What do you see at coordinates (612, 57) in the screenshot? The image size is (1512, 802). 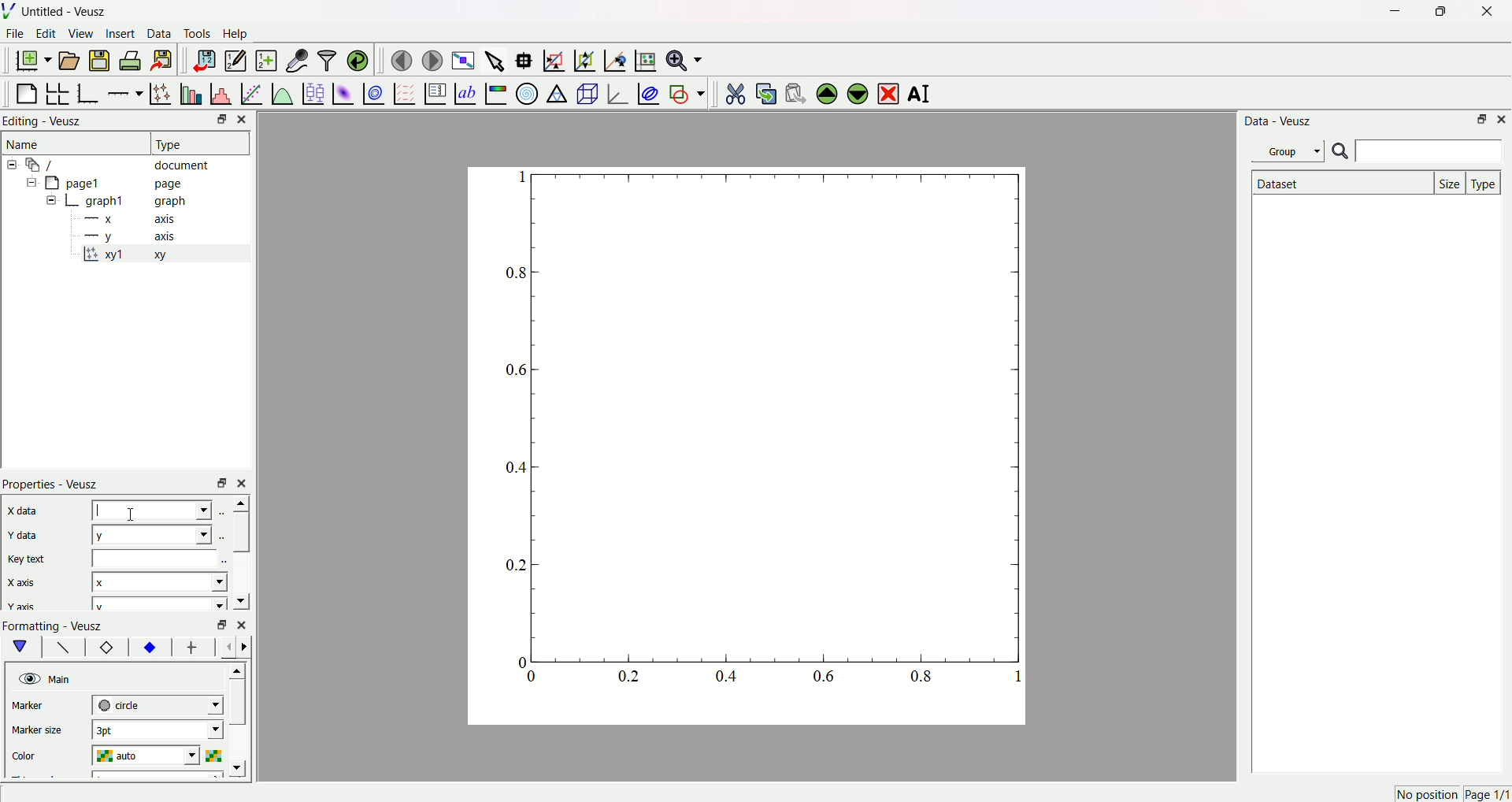 I see `recenter the graph axes` at bounding box center [612, 57].